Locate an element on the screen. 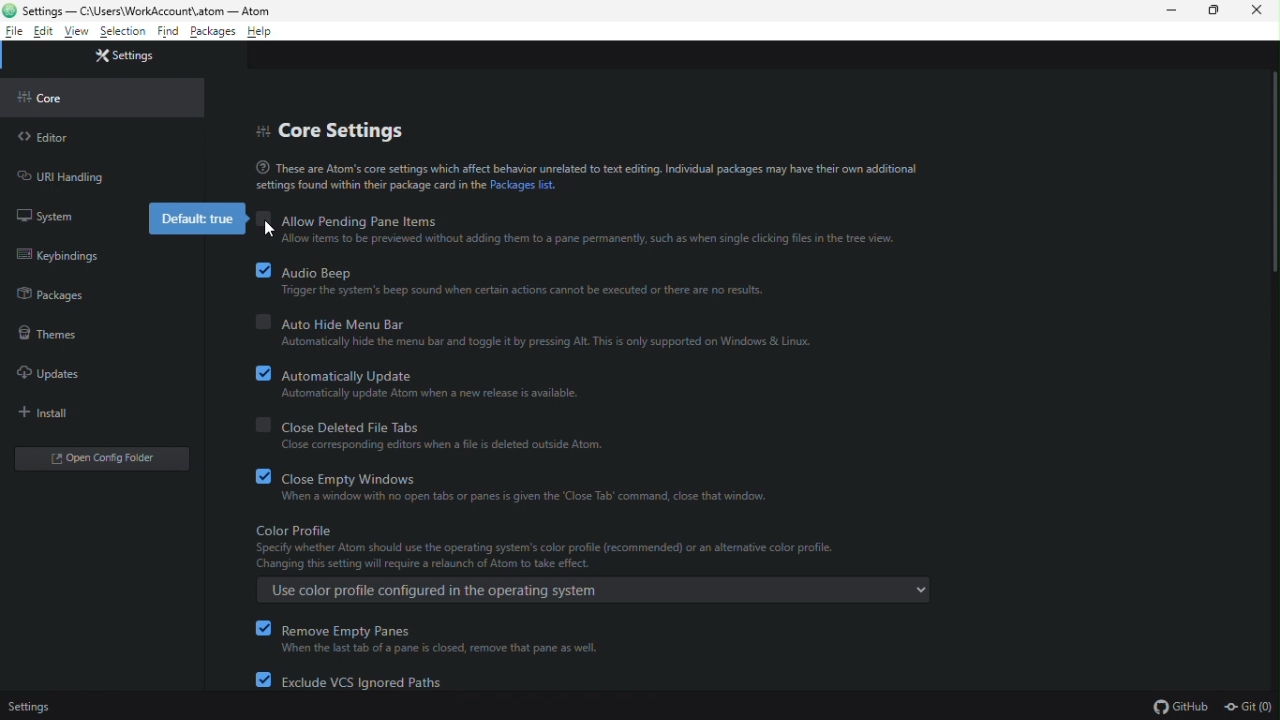  packages is located at coordinates (213, 33).